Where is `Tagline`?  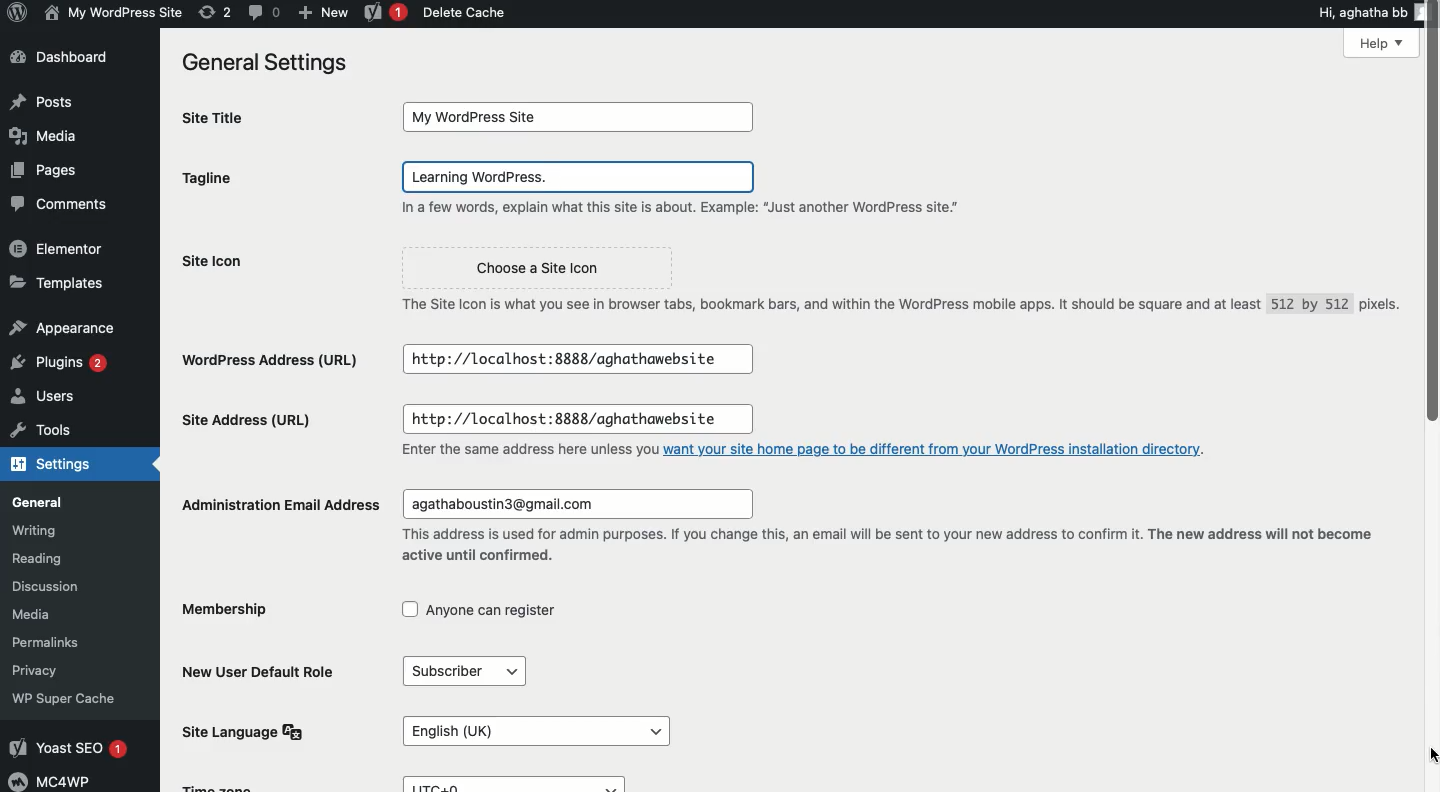 Tagline is located at coordinates (260, 182).